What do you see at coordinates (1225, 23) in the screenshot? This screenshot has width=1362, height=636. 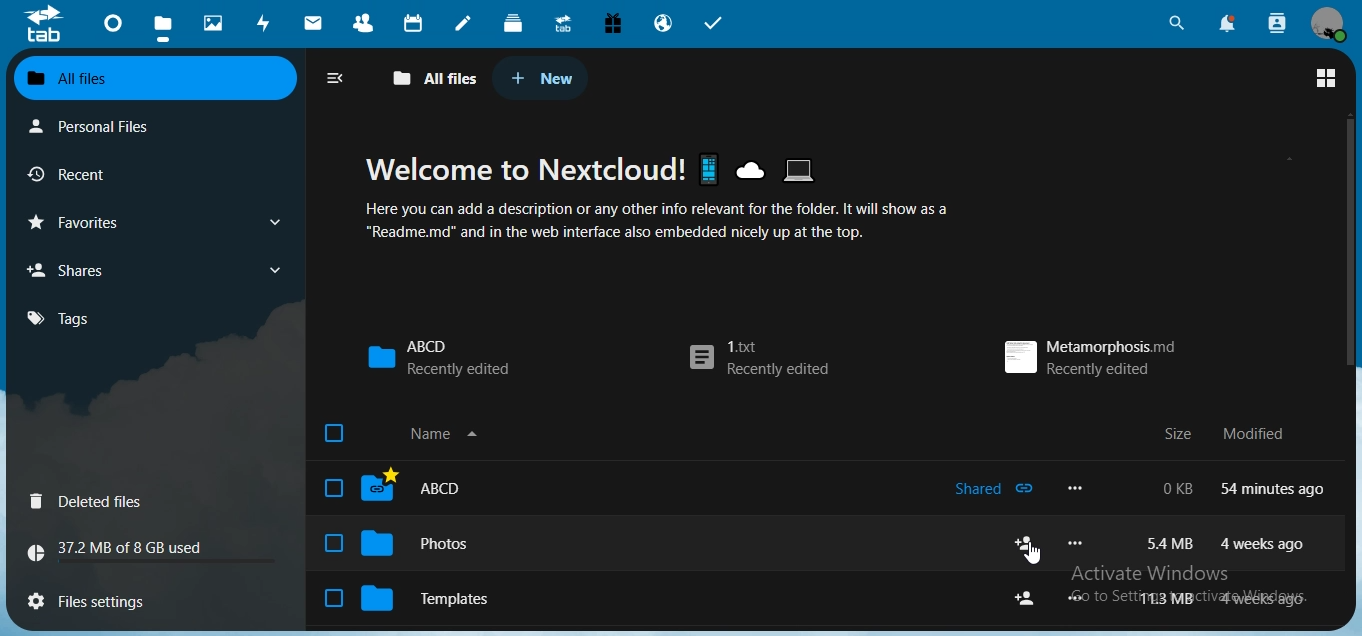 I see `notifications` at bounding box center [1225, 23].